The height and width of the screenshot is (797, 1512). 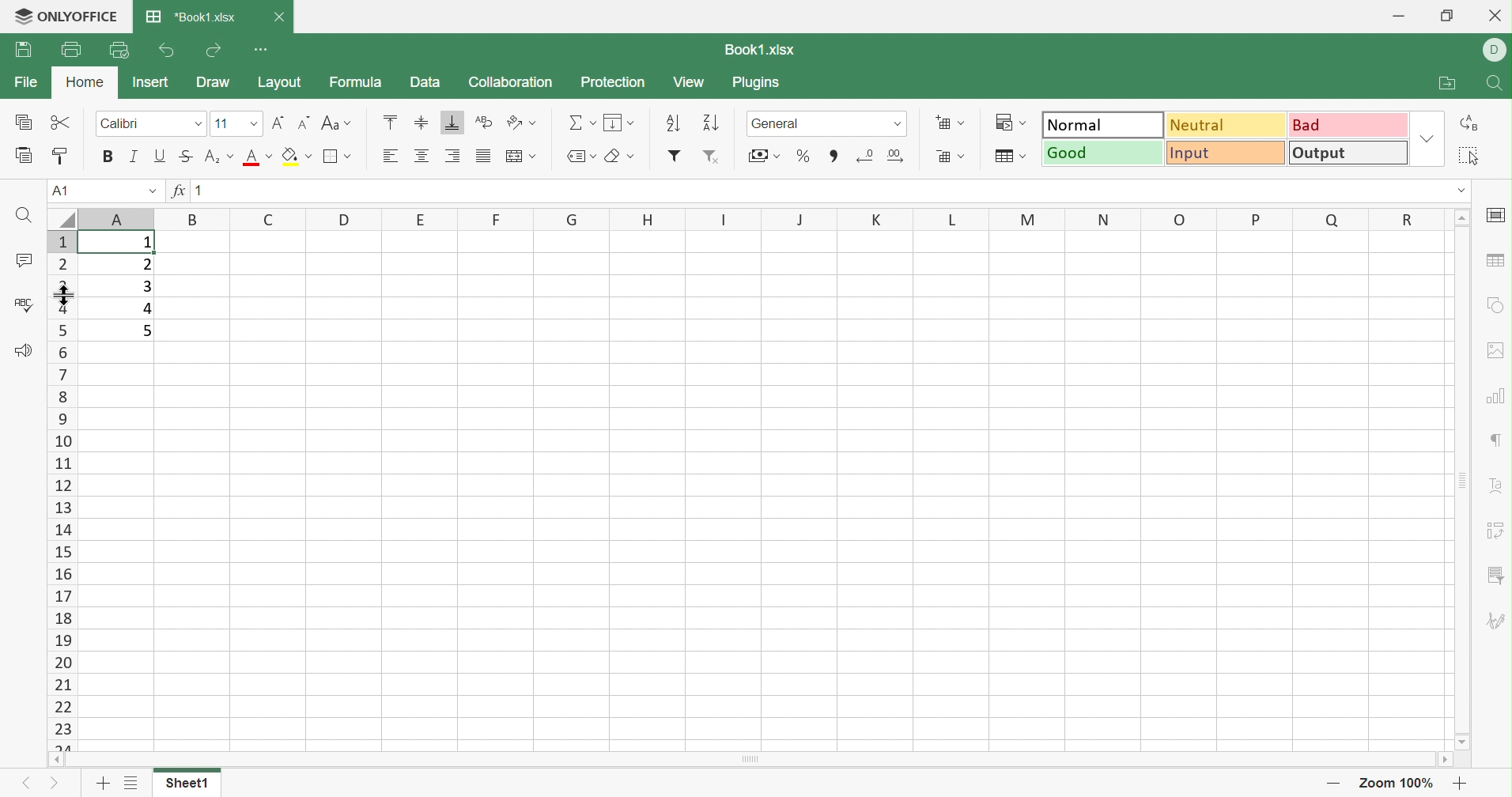 What do you see at coordinates (71, 50) in the screenshot?
I see `Print` at bounding box center [71, 50].